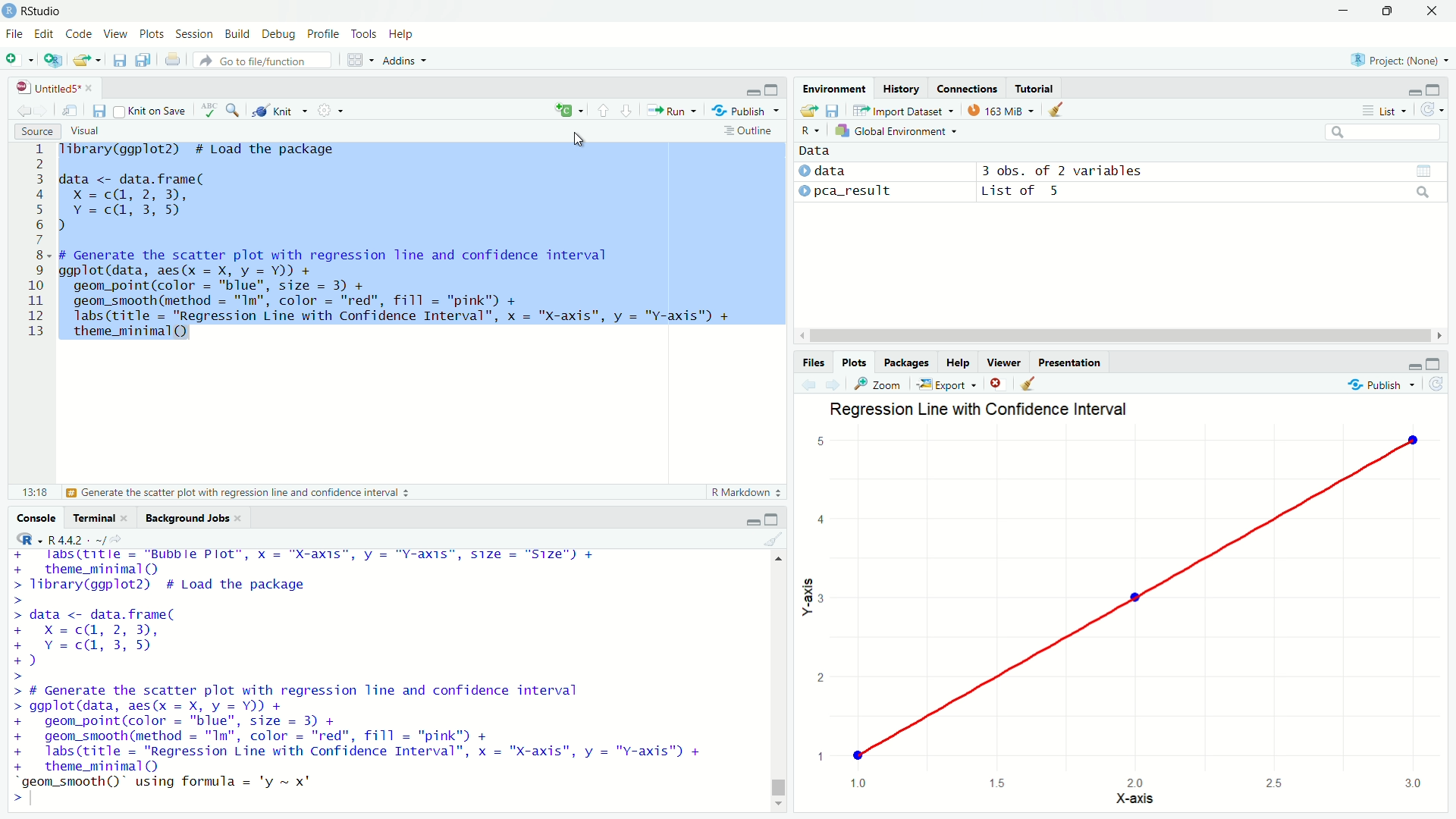 Image resolution: width=1456 pixels, height=819 pixels. Describe the element at coordinates (239, 492) in the screenshot. I see `Generate the scatter plot with regression line and confidence interval` at that location.